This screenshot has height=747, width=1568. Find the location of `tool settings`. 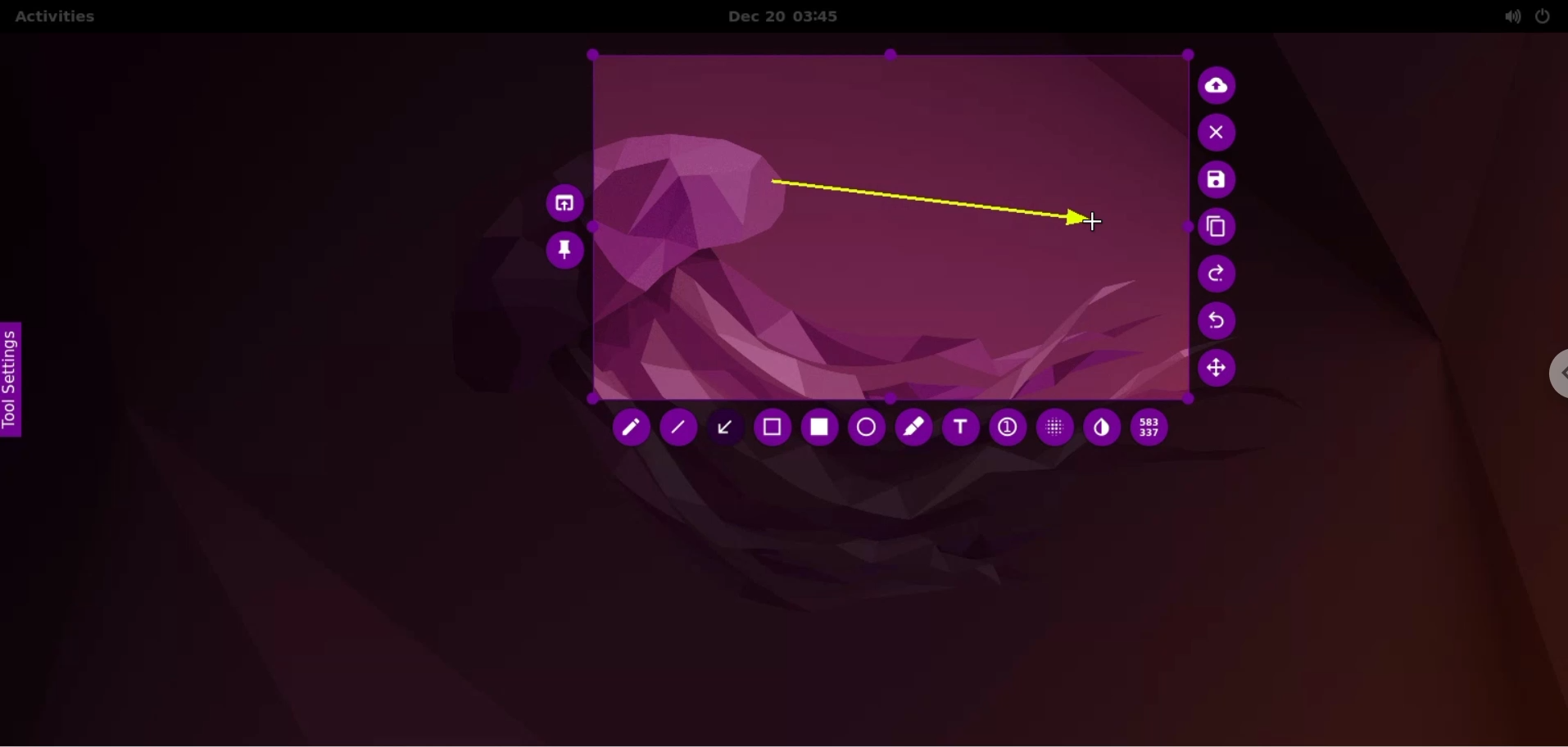

tool settings is located at coordinates (18, 380).